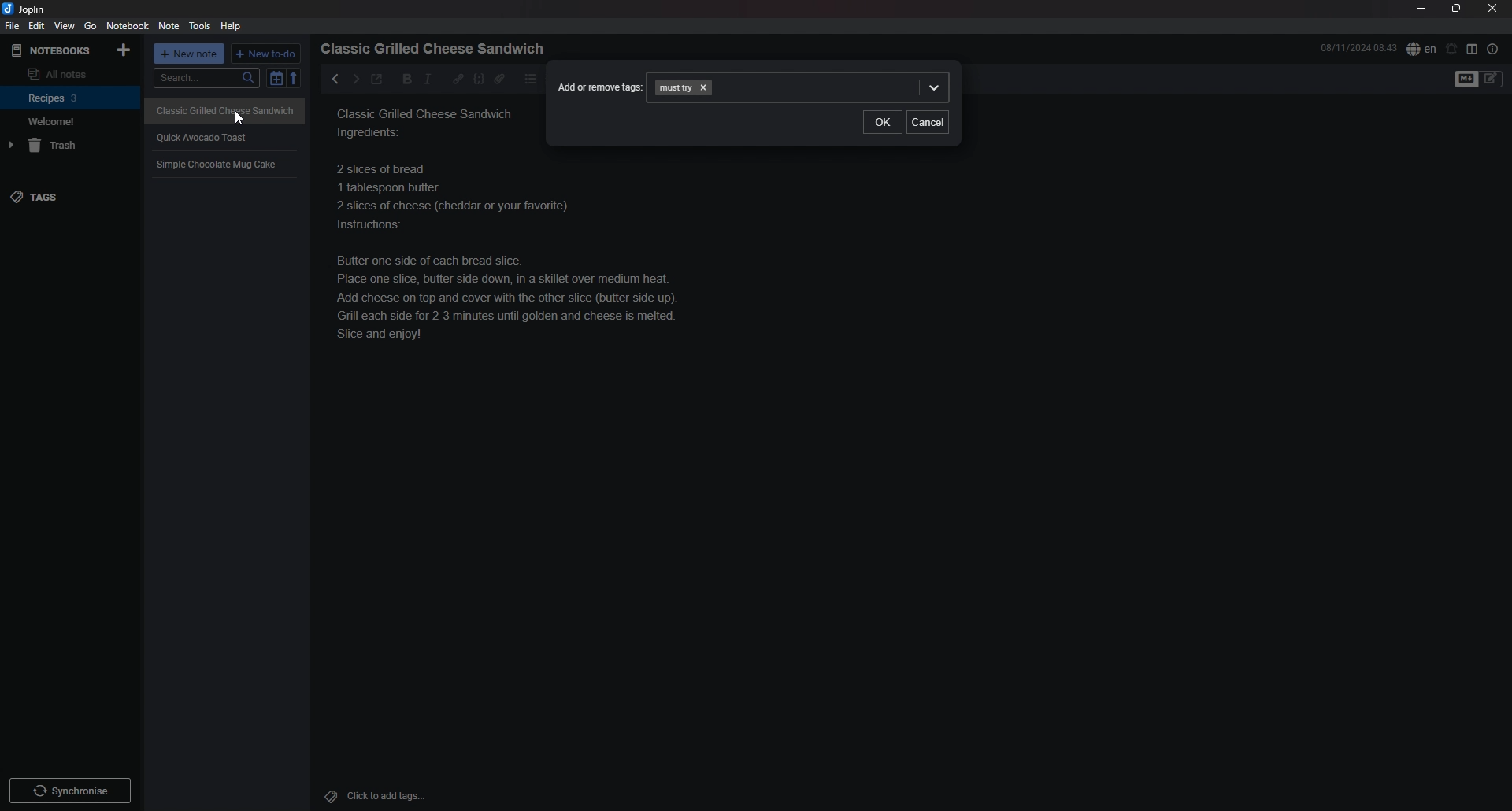  I want to click on toggle editor layout, so click(1473, 49).